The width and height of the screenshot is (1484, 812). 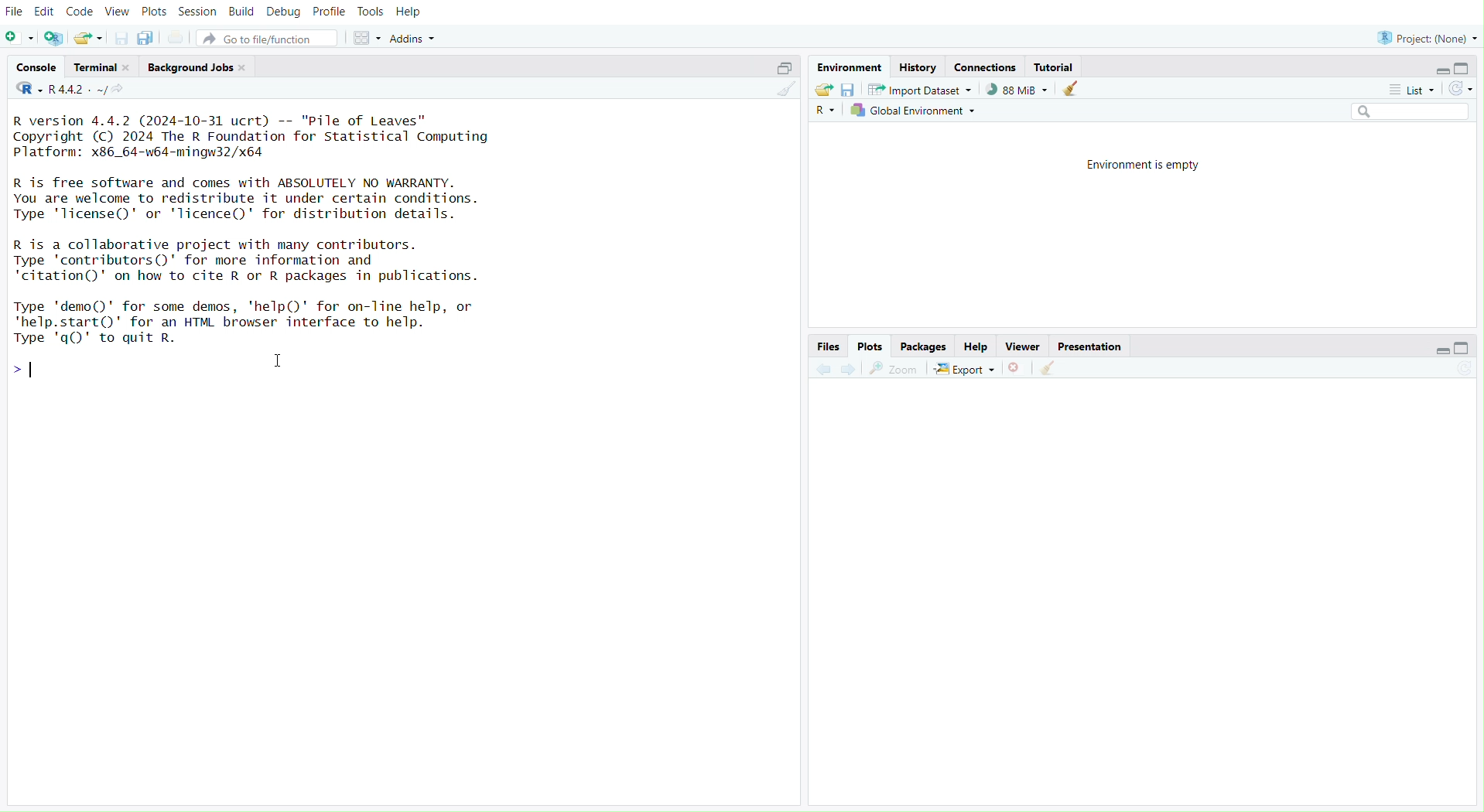 I want to click on History, so click(x=918, y=66).